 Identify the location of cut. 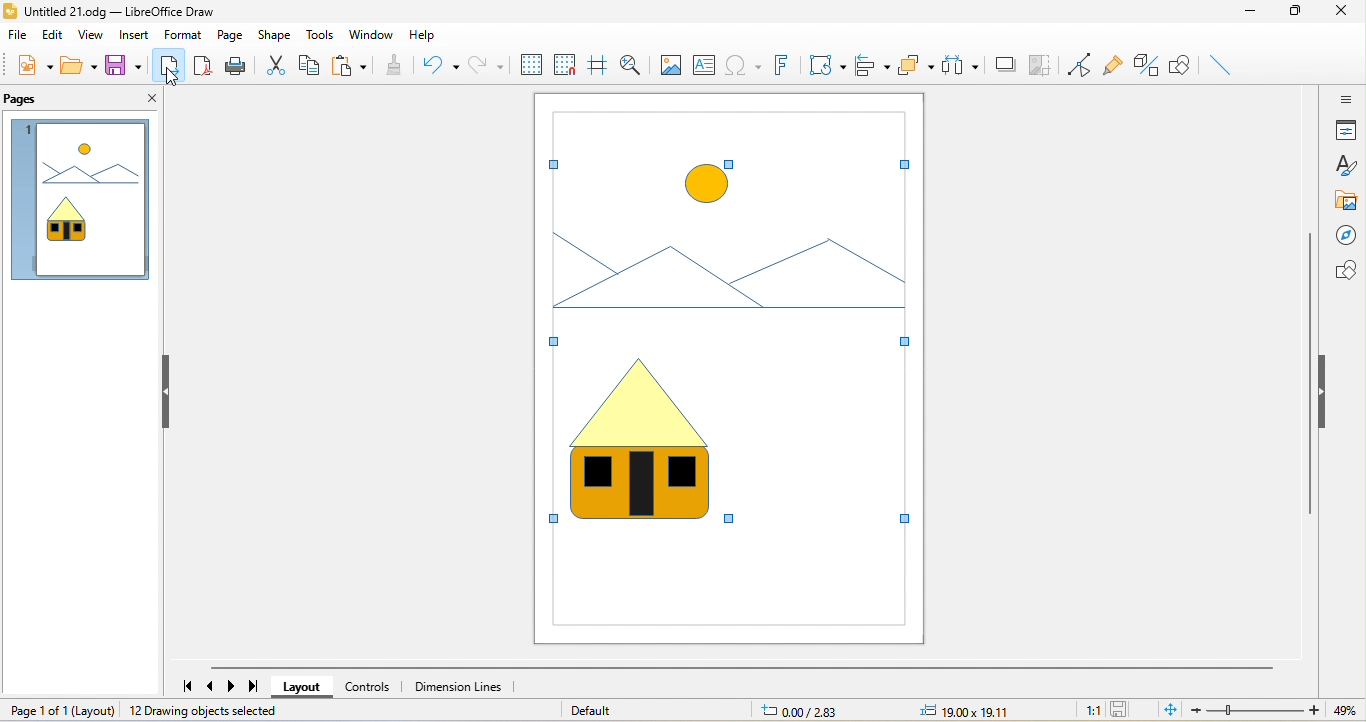
(275, 63).